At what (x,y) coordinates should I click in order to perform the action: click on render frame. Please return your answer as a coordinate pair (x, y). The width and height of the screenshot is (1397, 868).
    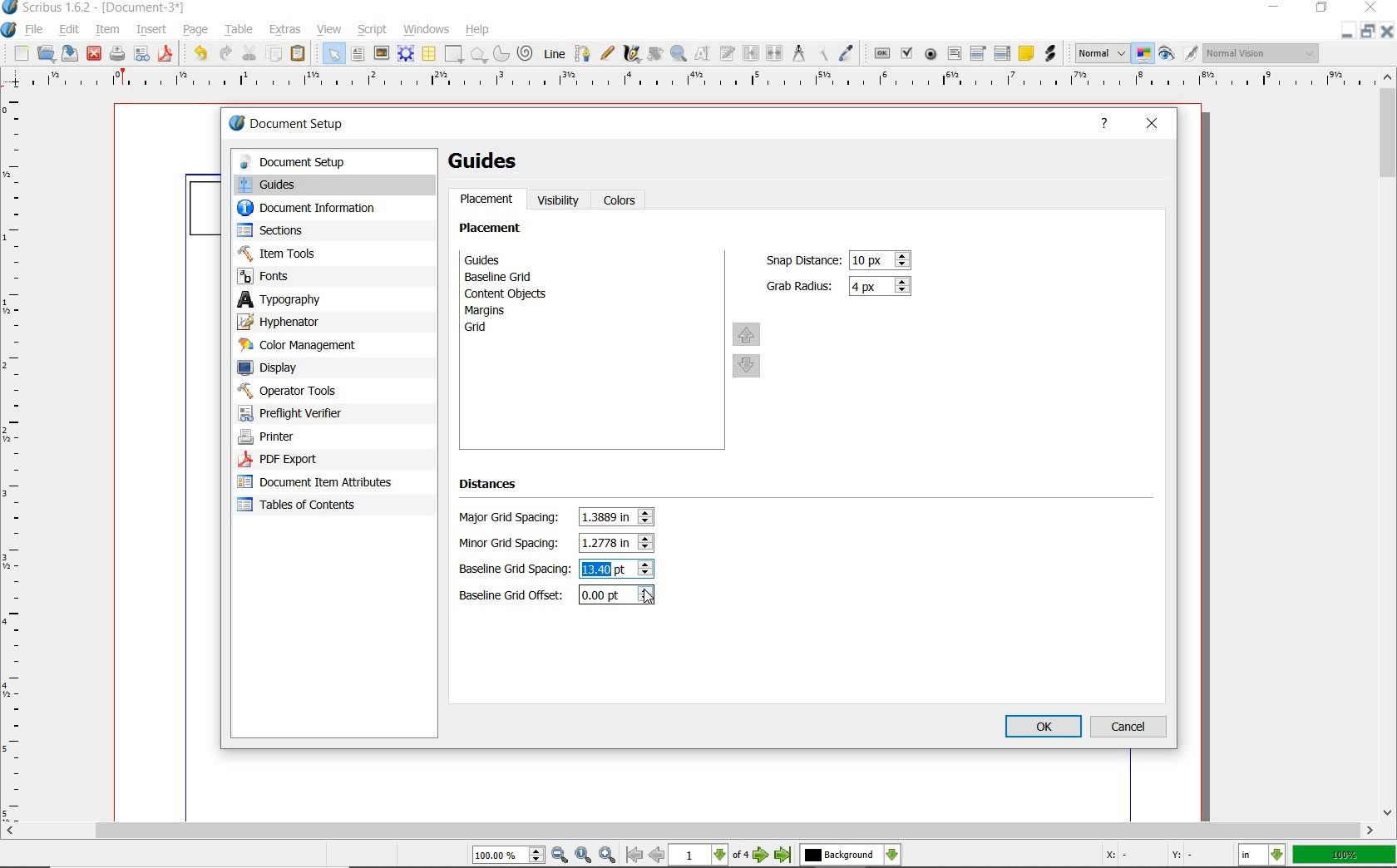
    Looking at the image, I should click on (406, 54).